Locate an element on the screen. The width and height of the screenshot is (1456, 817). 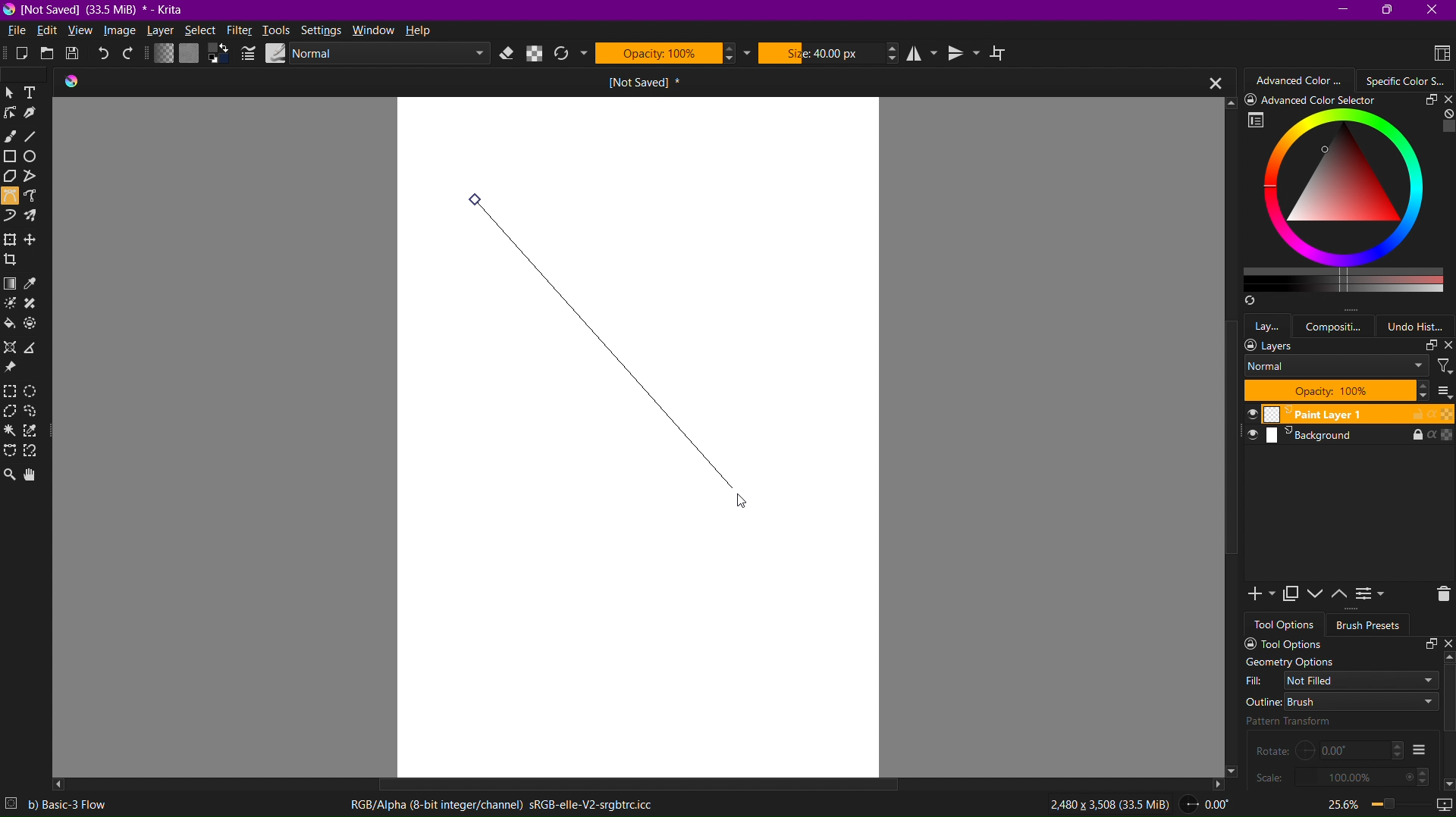
Enclose and fill tool is located at coordinates (36, 326).